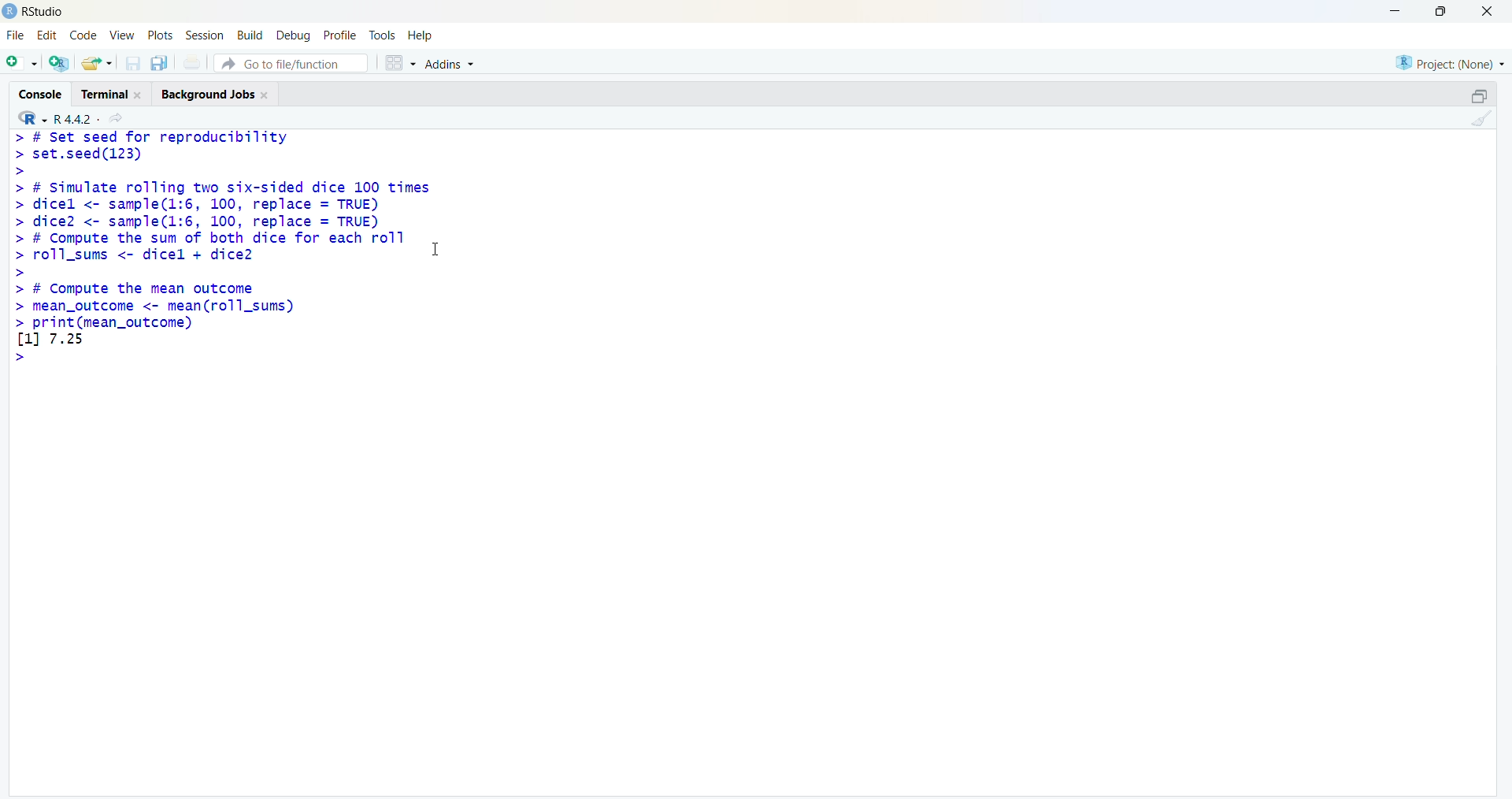 Image resolution: width=1512 pixels, height=799 pixels. Describe the element at coordinates (1482, 117) in the screenshot. I see `clean` at that location.